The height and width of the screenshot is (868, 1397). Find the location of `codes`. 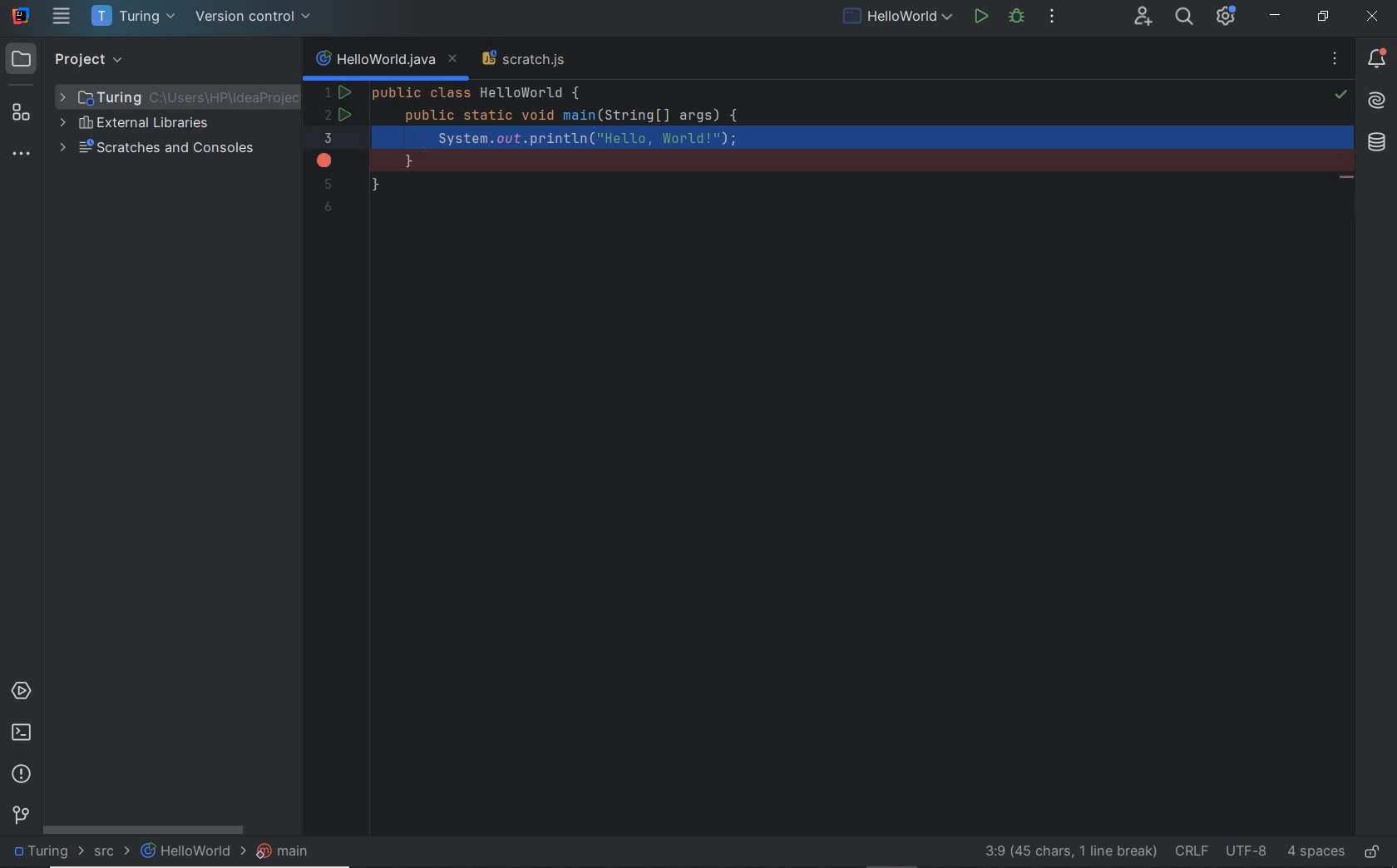

codes is located at coordinates (796, 101).